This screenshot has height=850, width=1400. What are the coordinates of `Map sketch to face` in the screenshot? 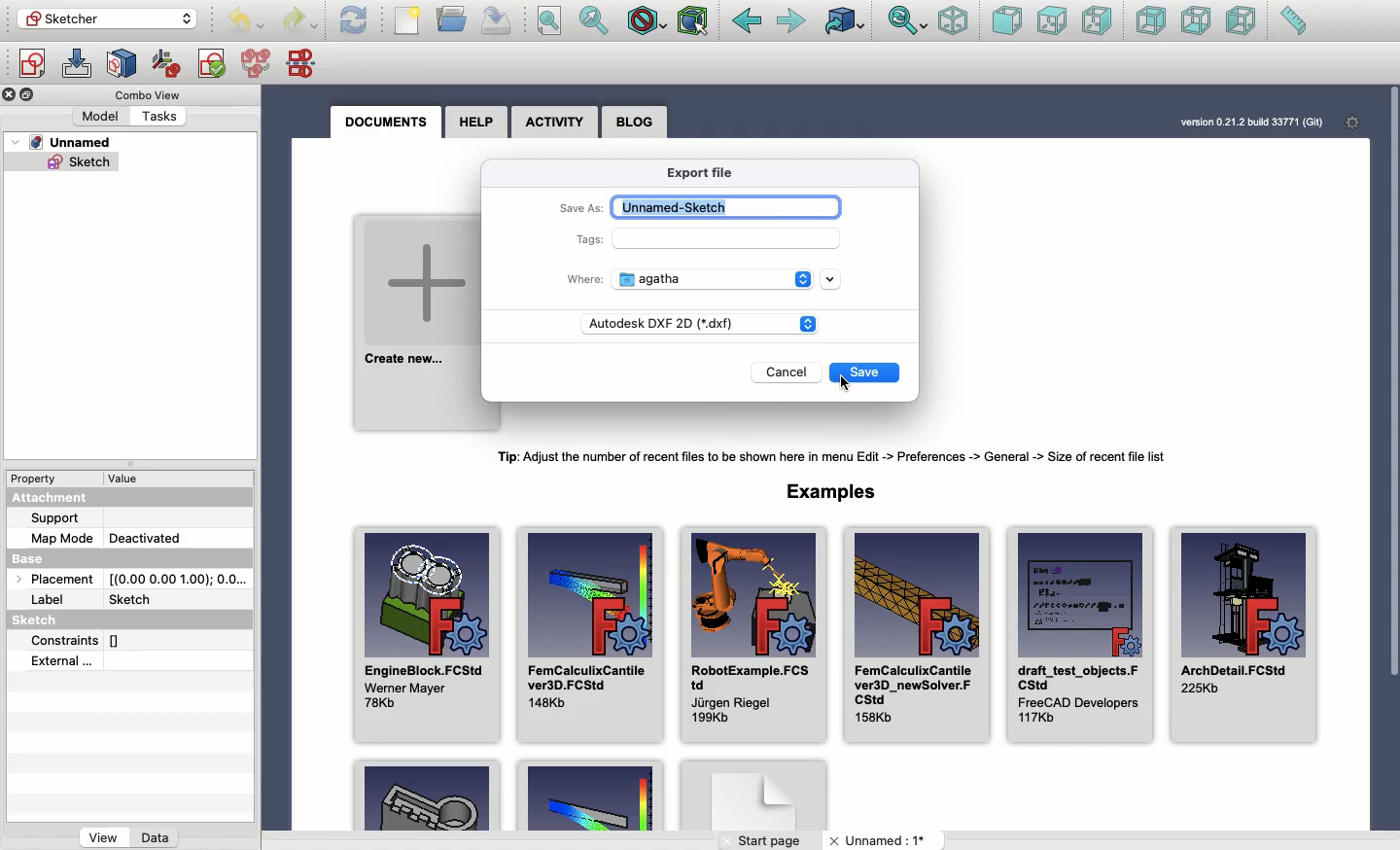 It's located at (125, 63).